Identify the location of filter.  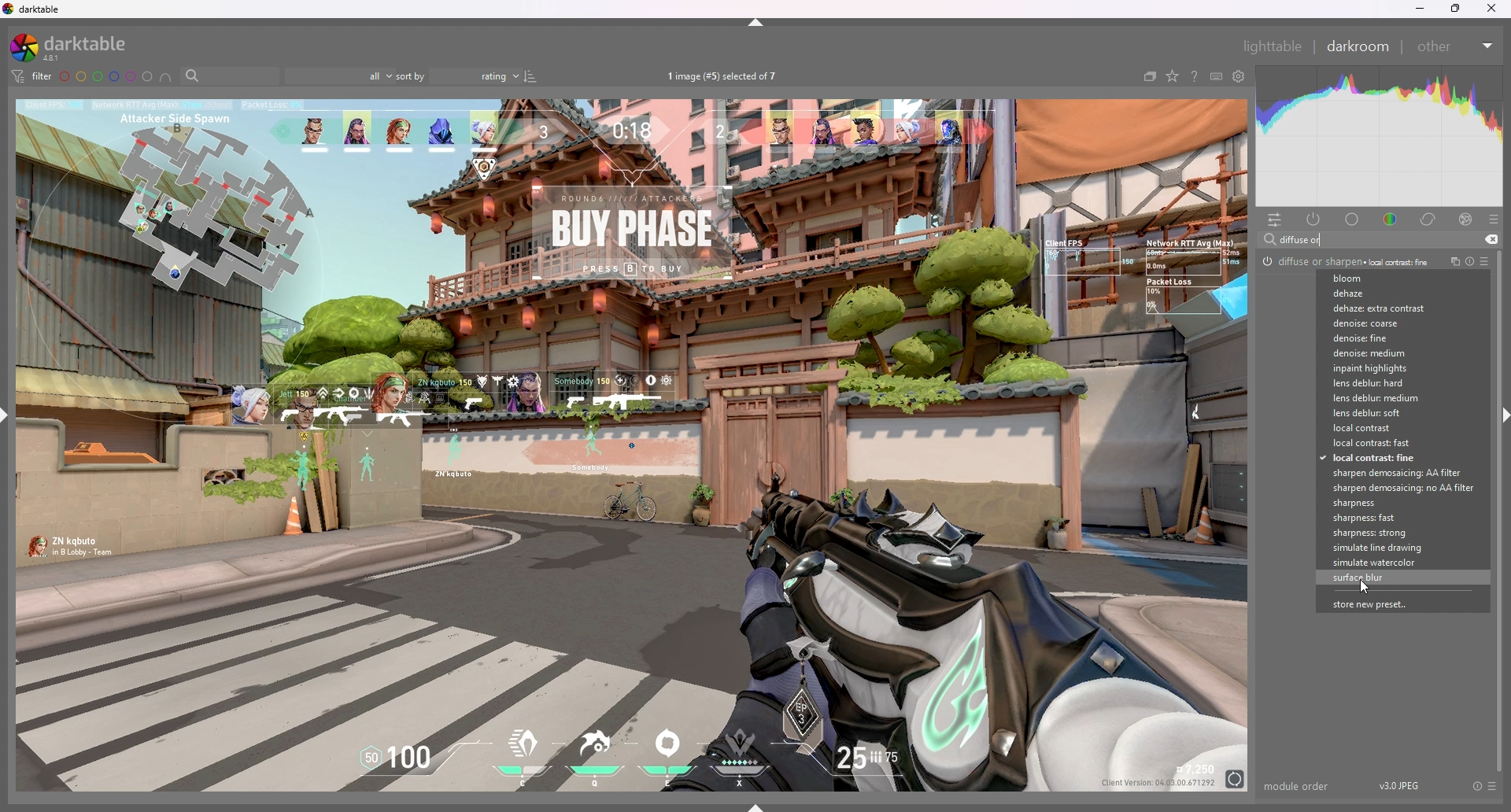
(32, 76).